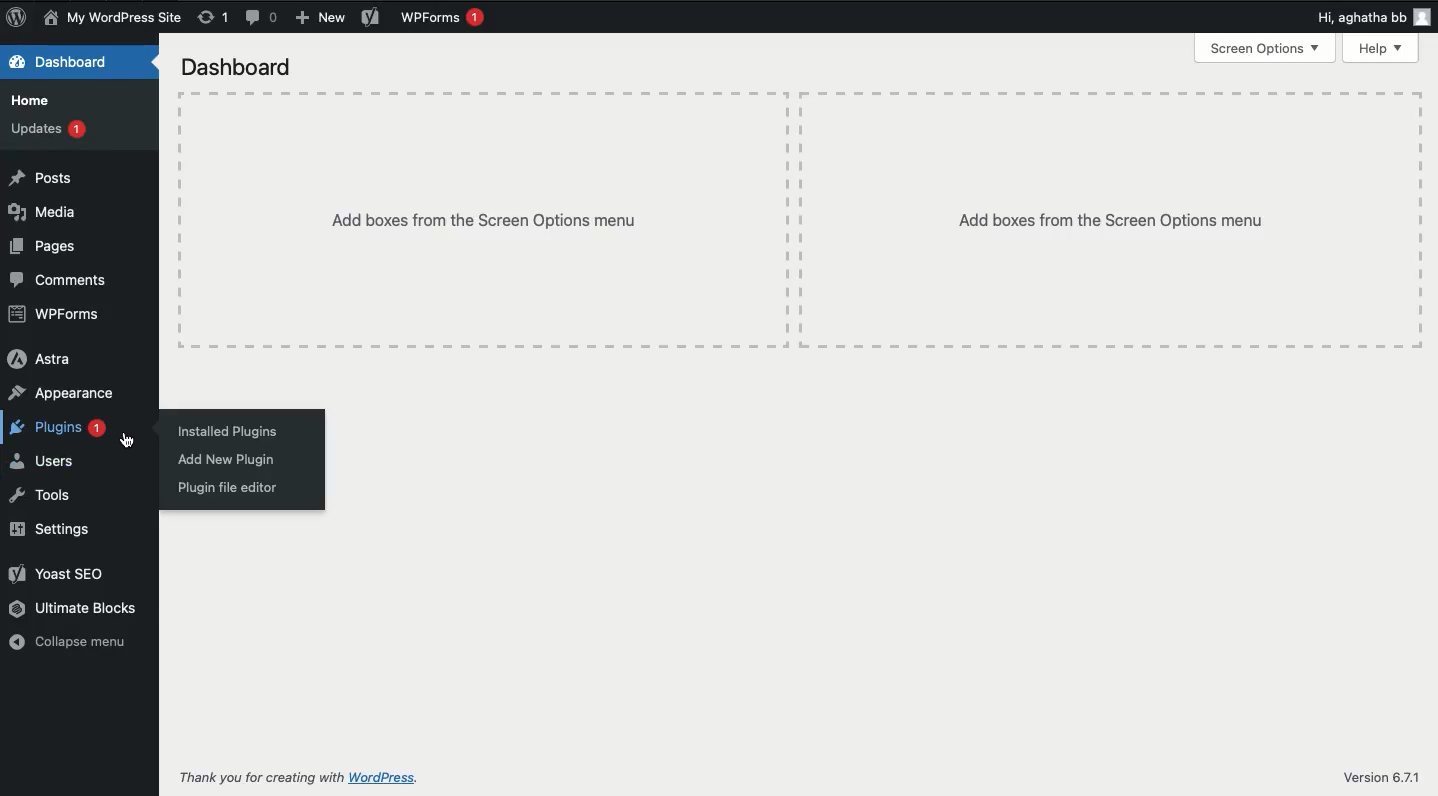 This screenshot has width=1438, height=796. What do you see at coordinates (443, 18) in the screenshot?
I see `WPForms` at bounding box center [443, 18].